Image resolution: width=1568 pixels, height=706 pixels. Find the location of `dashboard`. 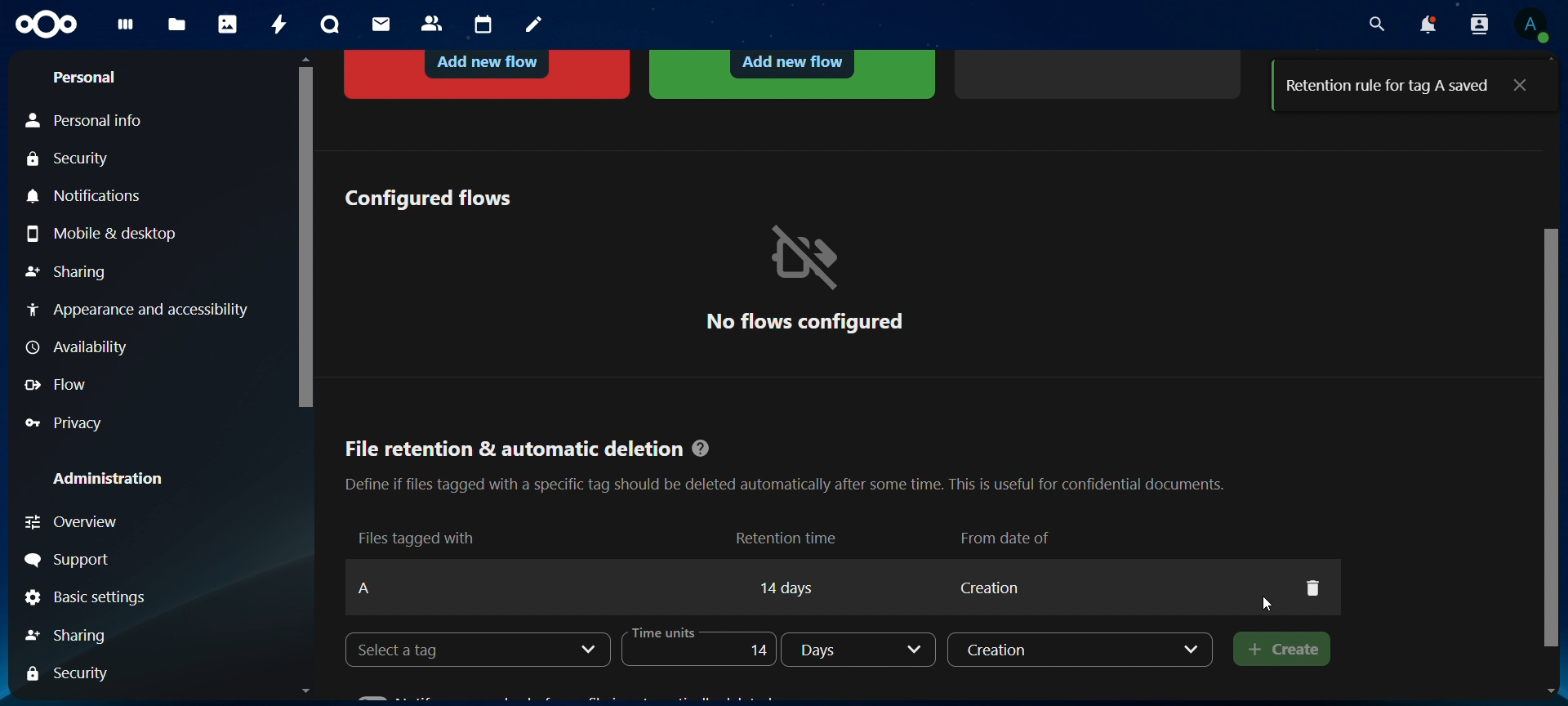

dashboard is located at coordinates (127, 29).